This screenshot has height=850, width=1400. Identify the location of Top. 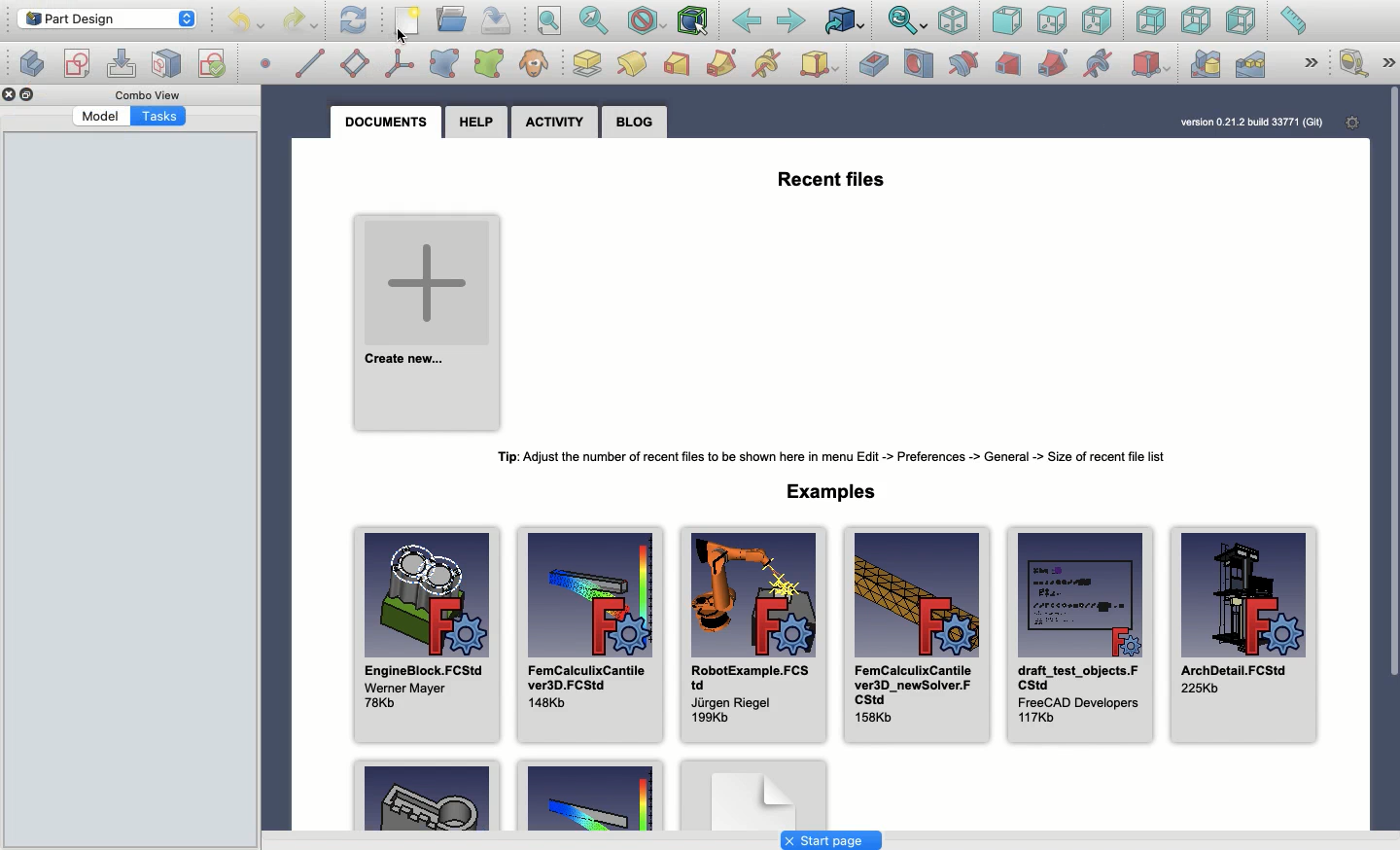
(1051, 21).